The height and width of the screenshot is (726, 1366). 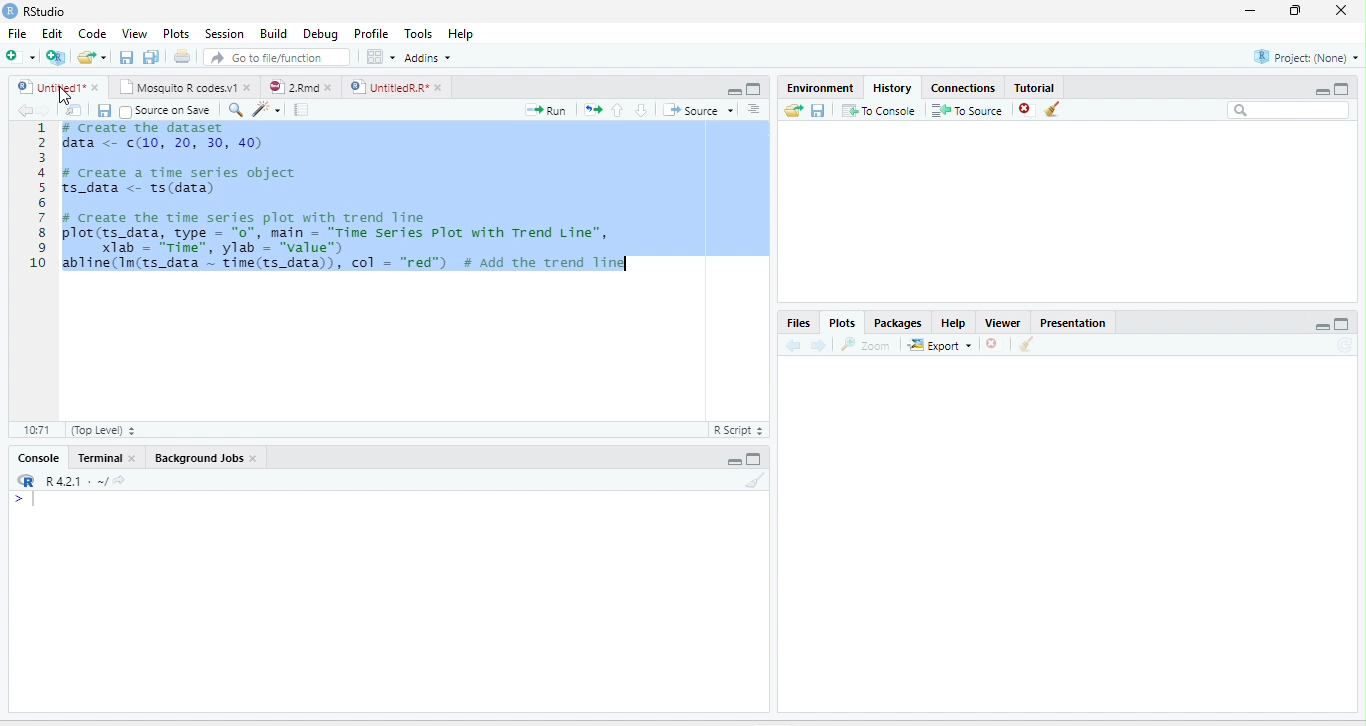 I want to click on Tutorial, so click(x=1036, y=87).